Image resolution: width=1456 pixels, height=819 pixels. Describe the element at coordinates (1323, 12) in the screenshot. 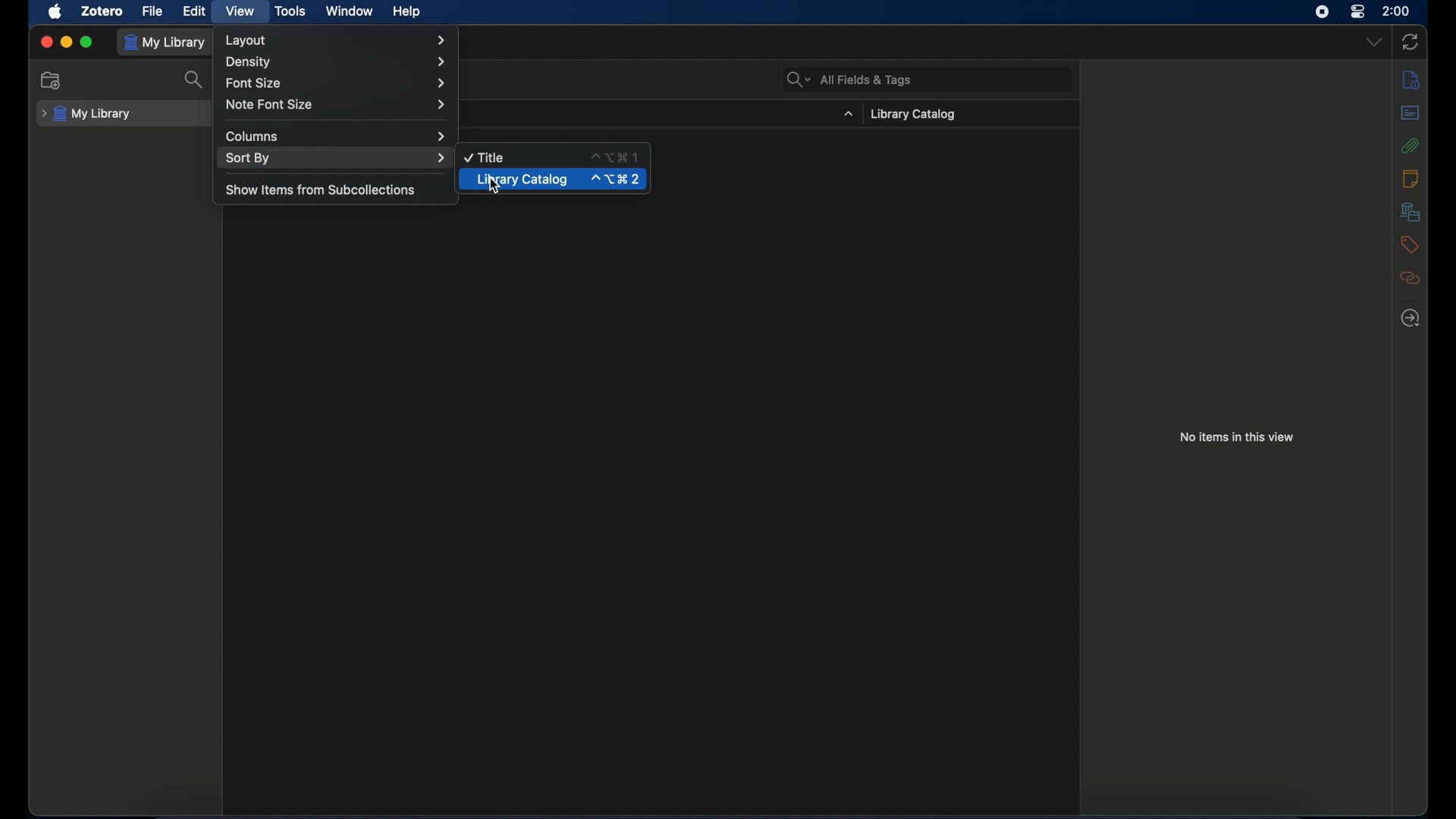

I see `screen recorder` at that location.